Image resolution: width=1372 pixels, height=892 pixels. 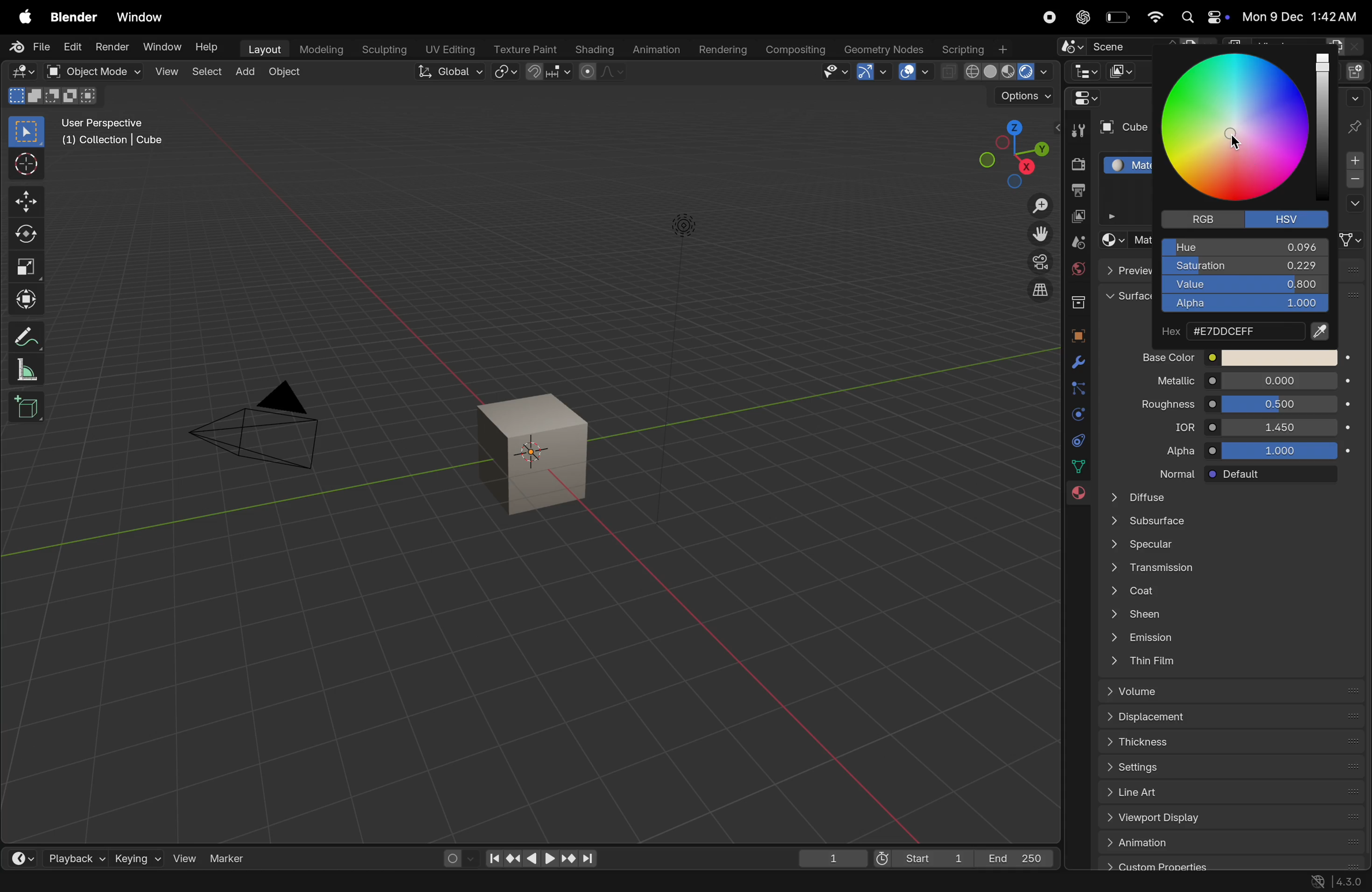 What do you see at coordinates (323, 50) in the screenshot?
I see `modelling` at bounding box center [323, 50].